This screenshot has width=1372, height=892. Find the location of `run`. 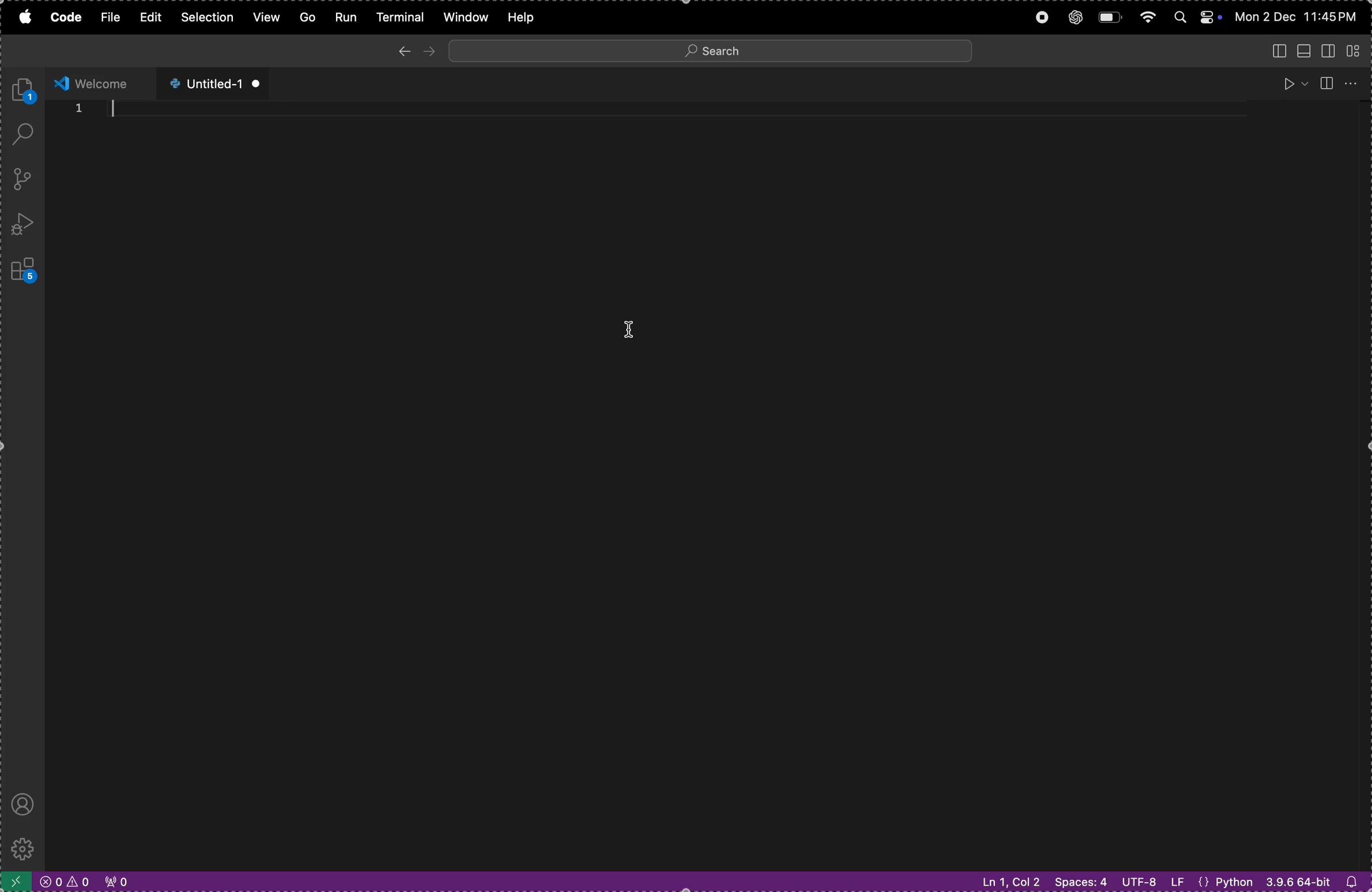

run is located at coordinates (344, 18).